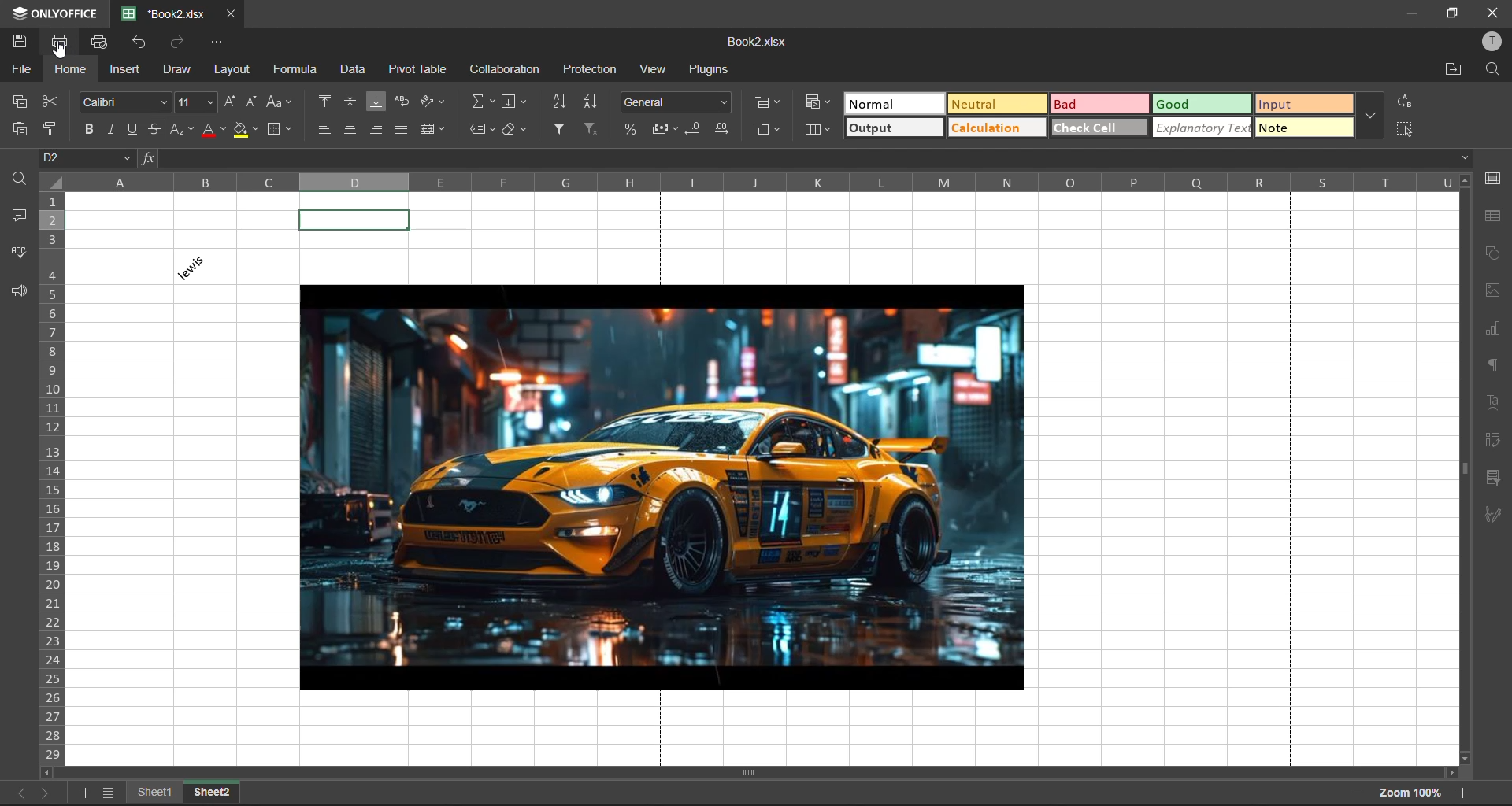 This screenshot has height=806, width=1512. What do you see at coordinates (1410, 795) in the screenshot?
I see `zoom factor` at bounding box center [1410, 795].